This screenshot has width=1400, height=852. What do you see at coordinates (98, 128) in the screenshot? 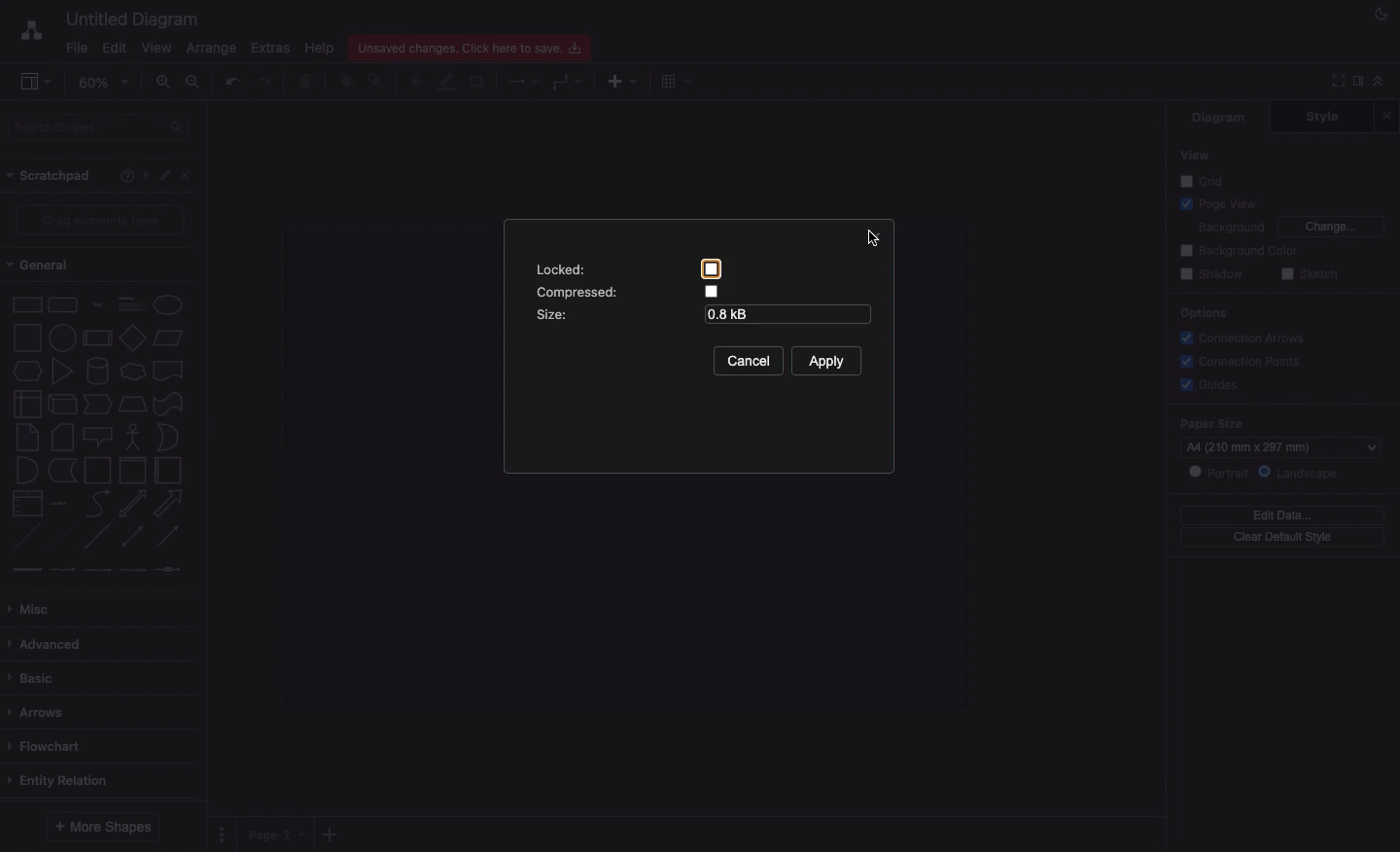
I see `Search shapes` at bounding box center [98, 128].